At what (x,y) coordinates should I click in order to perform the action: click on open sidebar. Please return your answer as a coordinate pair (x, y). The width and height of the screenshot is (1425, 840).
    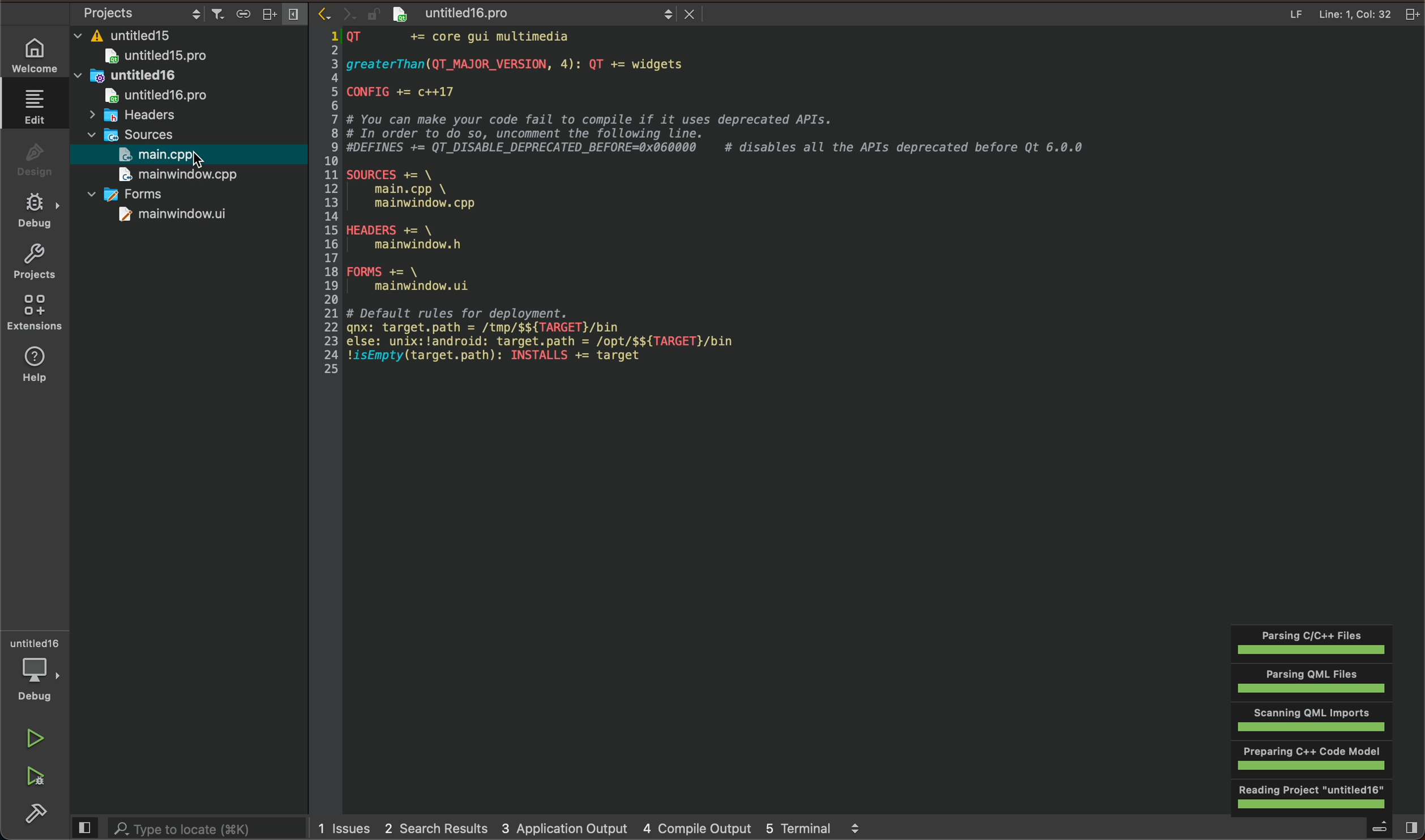
    Looking at the image, I should click on (1388, 828).